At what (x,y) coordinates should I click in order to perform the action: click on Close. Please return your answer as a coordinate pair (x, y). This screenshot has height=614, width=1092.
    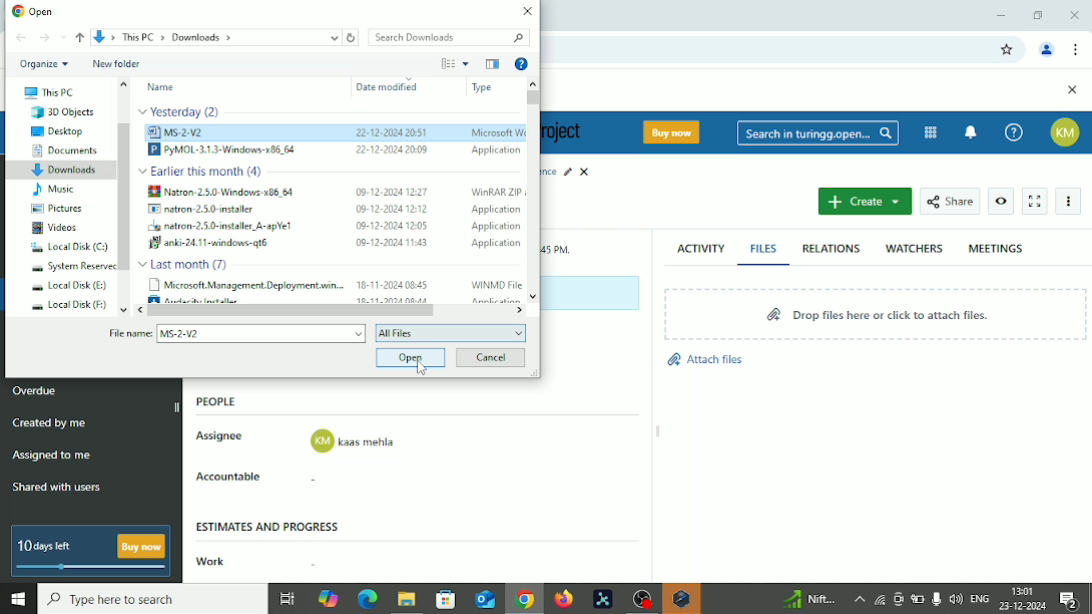
    Looking at the image, I should click on (526, 11).